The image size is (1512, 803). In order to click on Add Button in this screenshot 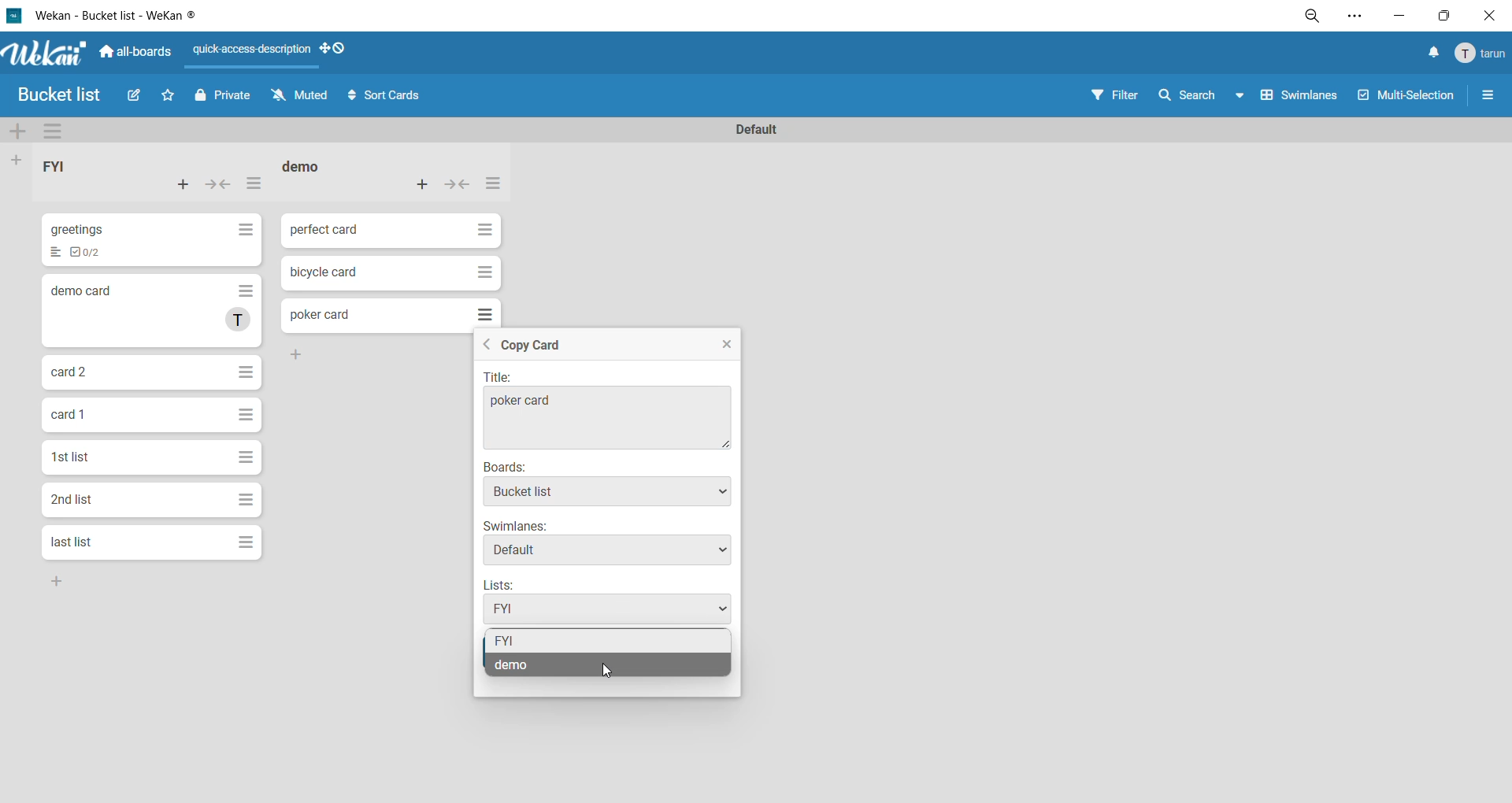, I will do `click(60, 583)`.